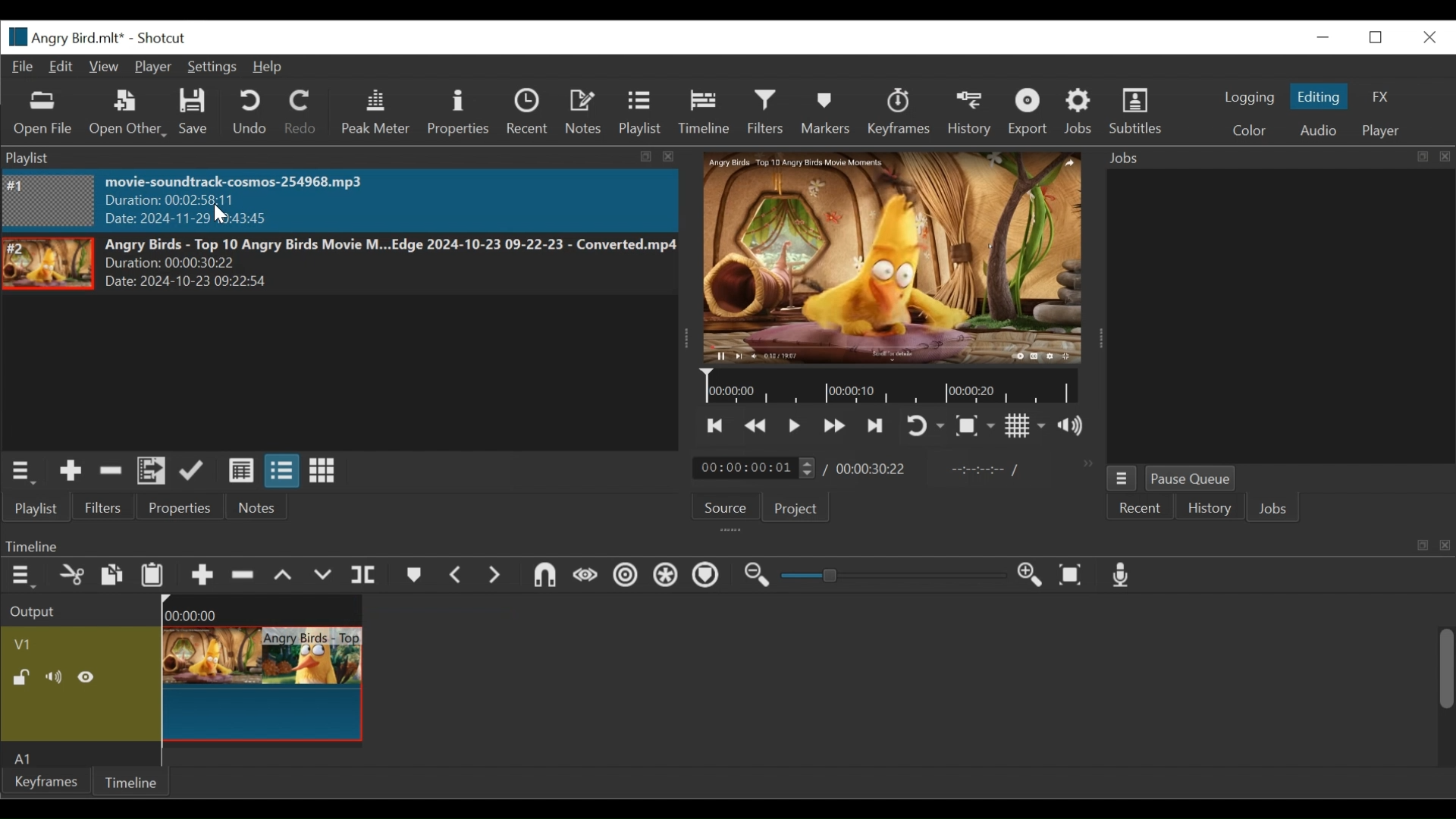 The width and height of the screenshot is (1456, 819). I want to click on Open Other, so click(128, 114).